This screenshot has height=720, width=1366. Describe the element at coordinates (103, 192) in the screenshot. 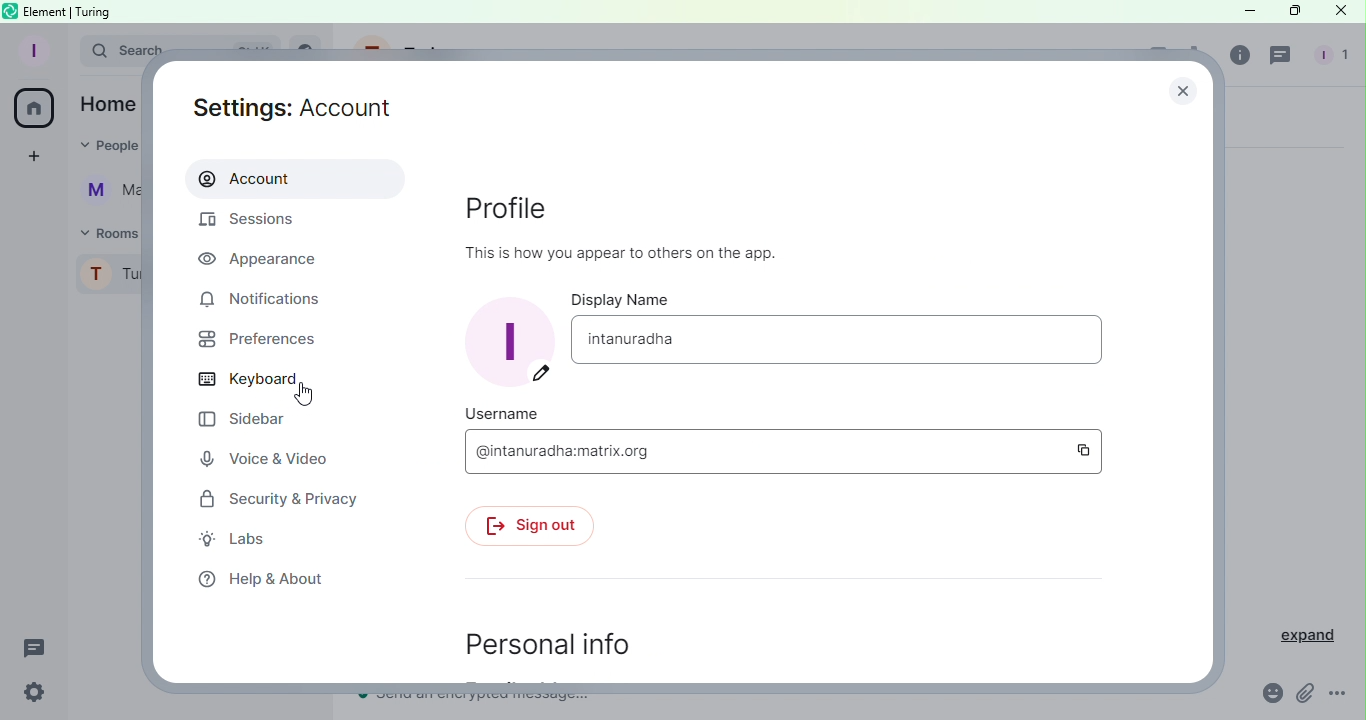

I see `Martina Tornello` at that location.